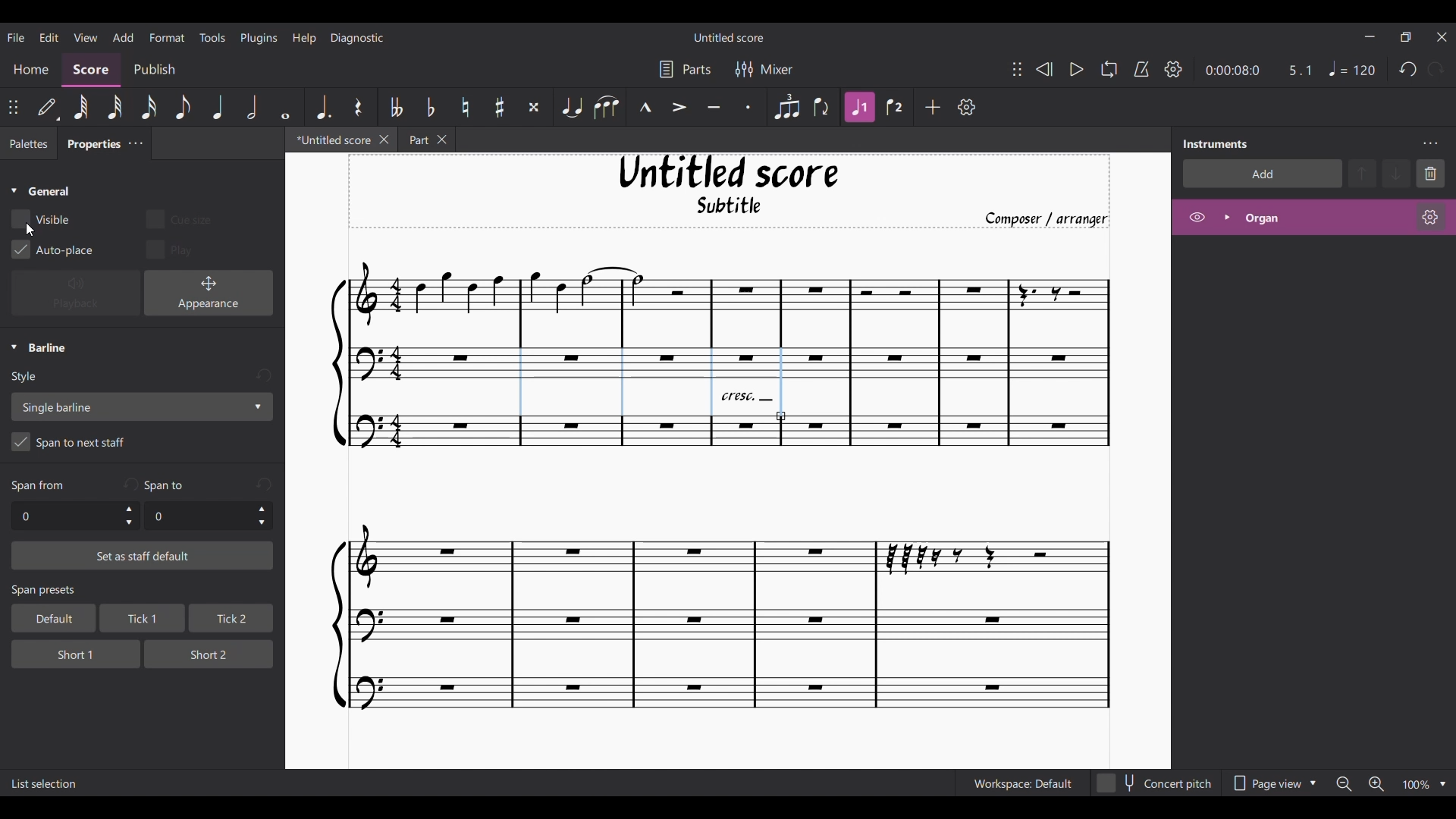  I want to click on File menu, so click(16, 36).